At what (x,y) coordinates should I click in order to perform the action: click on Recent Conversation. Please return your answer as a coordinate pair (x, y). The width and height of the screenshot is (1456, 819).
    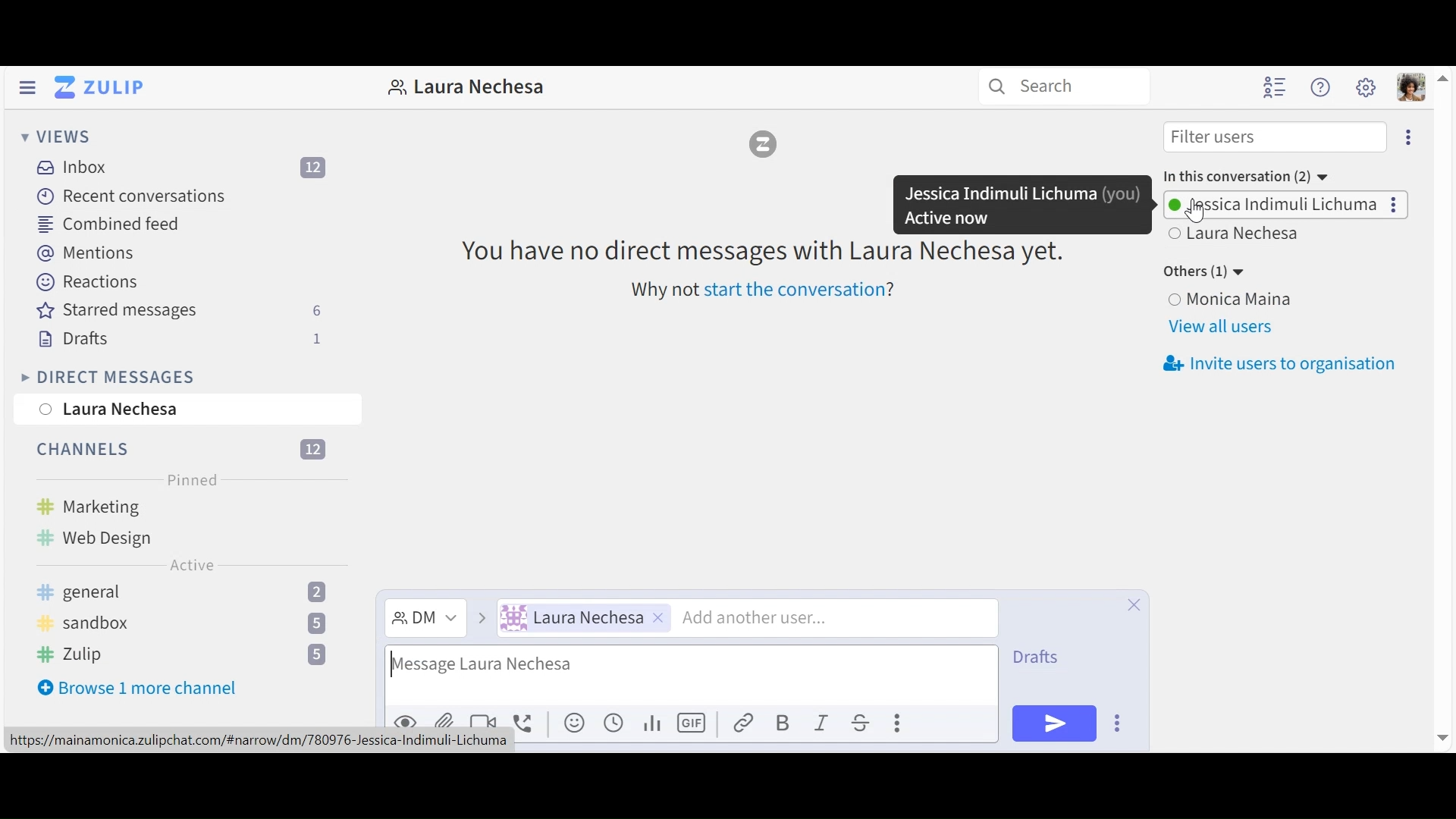
    Looking at the image, I should click on (134, 198).